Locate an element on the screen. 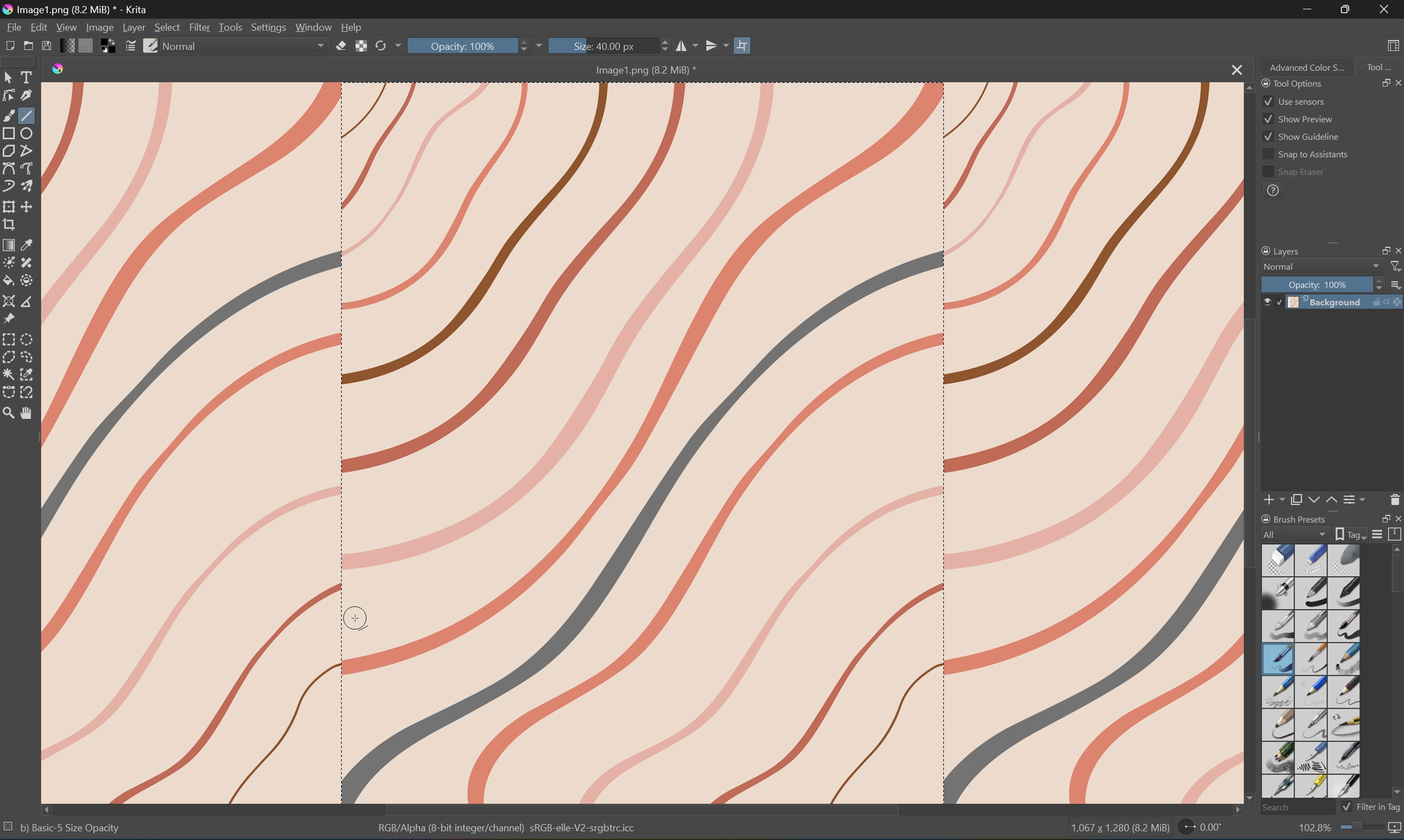 Image resolution: width=1404 pixels, height=840 pixels. Drop Down is located at coordinates (397, 46).